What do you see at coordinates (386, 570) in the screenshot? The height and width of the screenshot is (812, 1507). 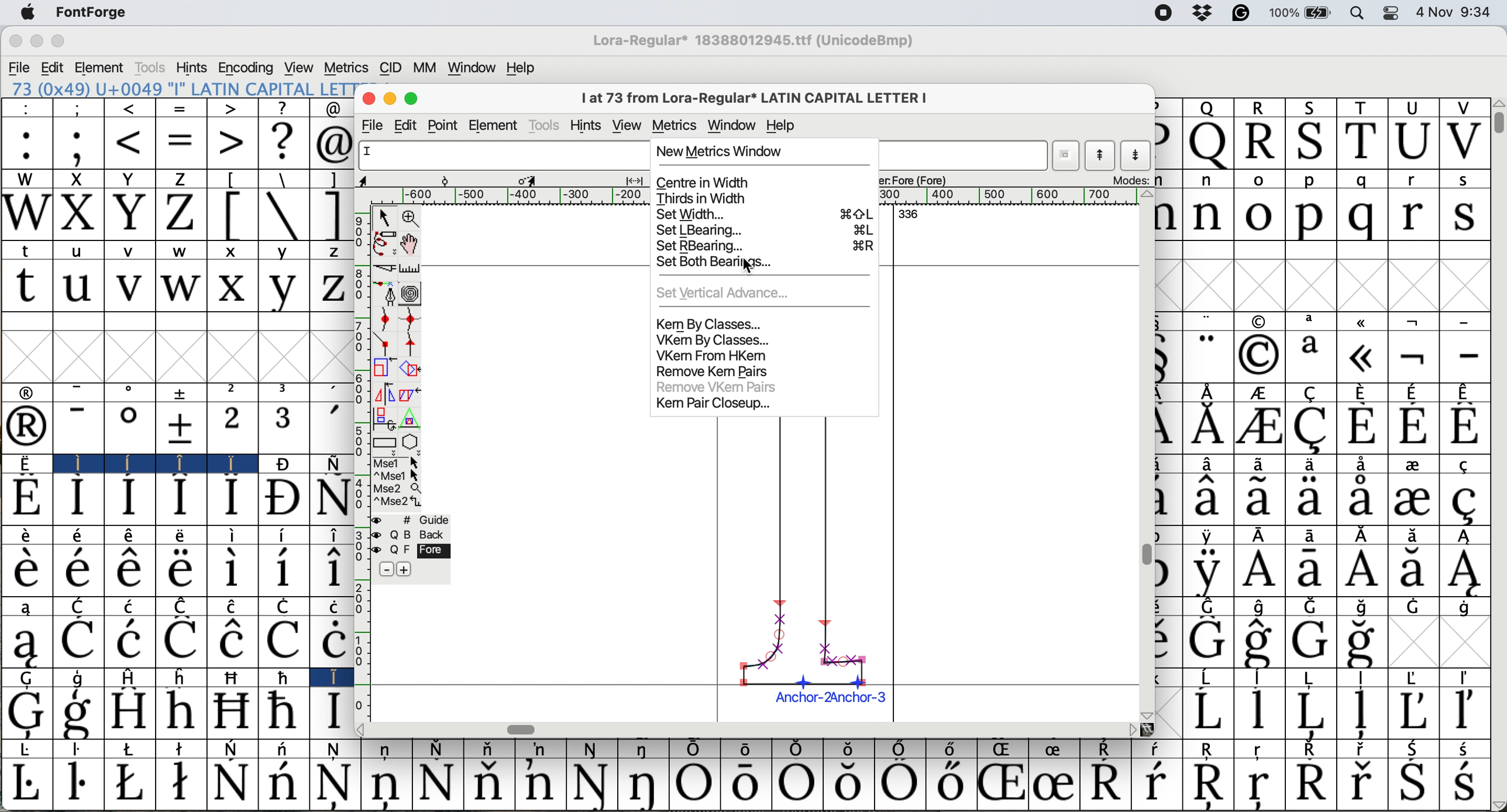 I see `remove` at bounding box center [386, 570].